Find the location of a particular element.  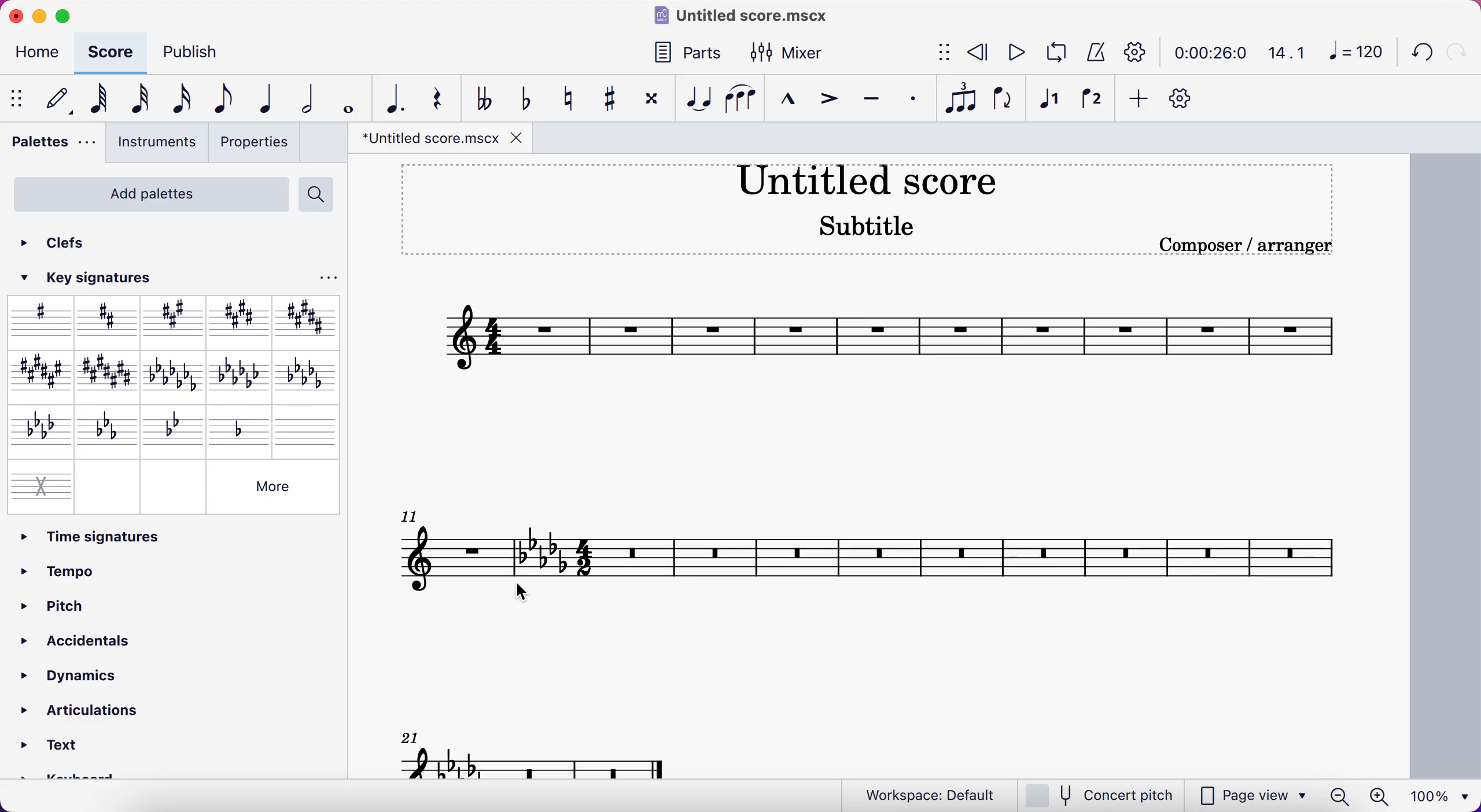

accent is located at coordinates (831, 105).